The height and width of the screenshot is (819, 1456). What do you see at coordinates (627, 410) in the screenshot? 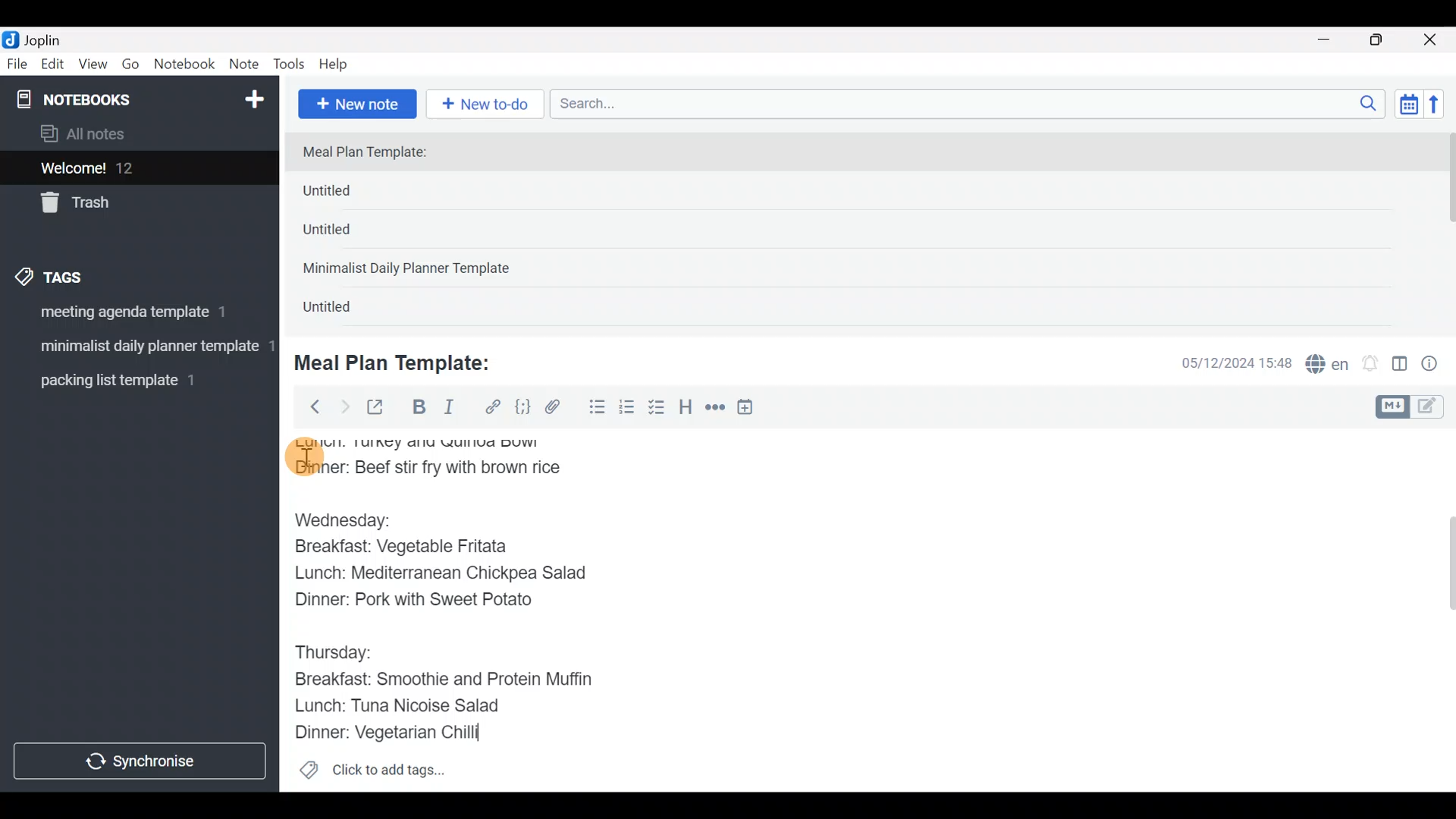
I see `Numbered list` at bounding box center [627, 410].